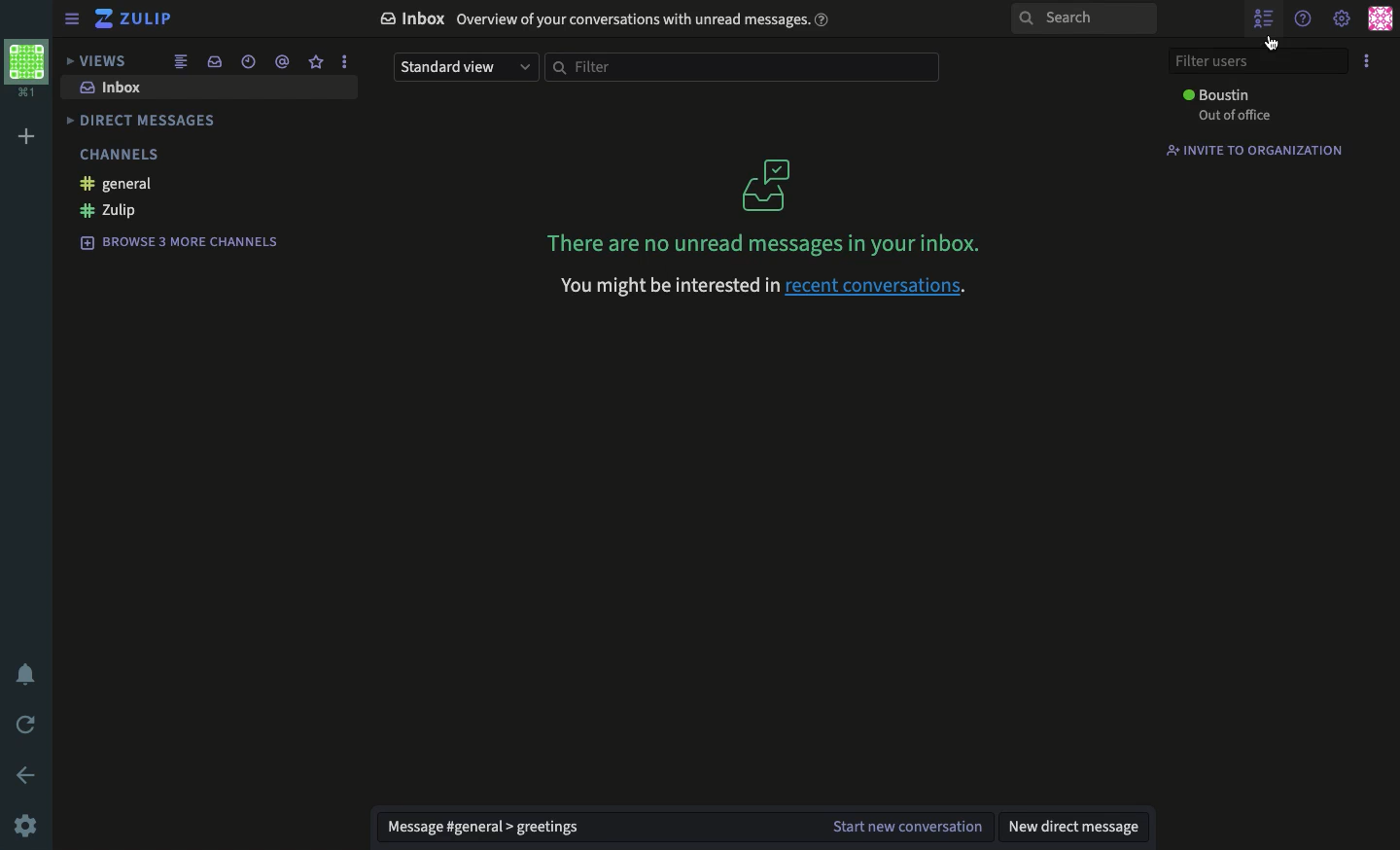 The width and height of the screenshot is (1400, 850). Describe the element at coordinates (1267, 18) in the screenshot. I see `show user list` at that location.